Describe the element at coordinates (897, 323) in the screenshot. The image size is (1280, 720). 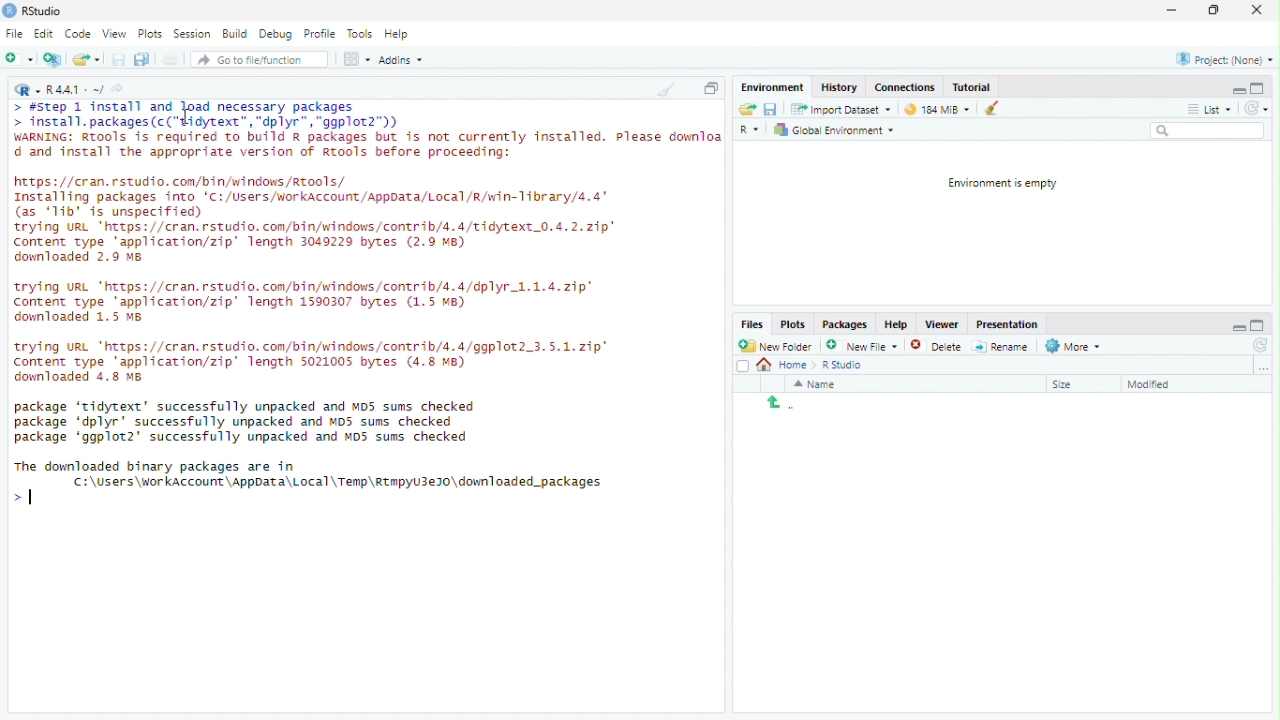
I see `Help` at that location.